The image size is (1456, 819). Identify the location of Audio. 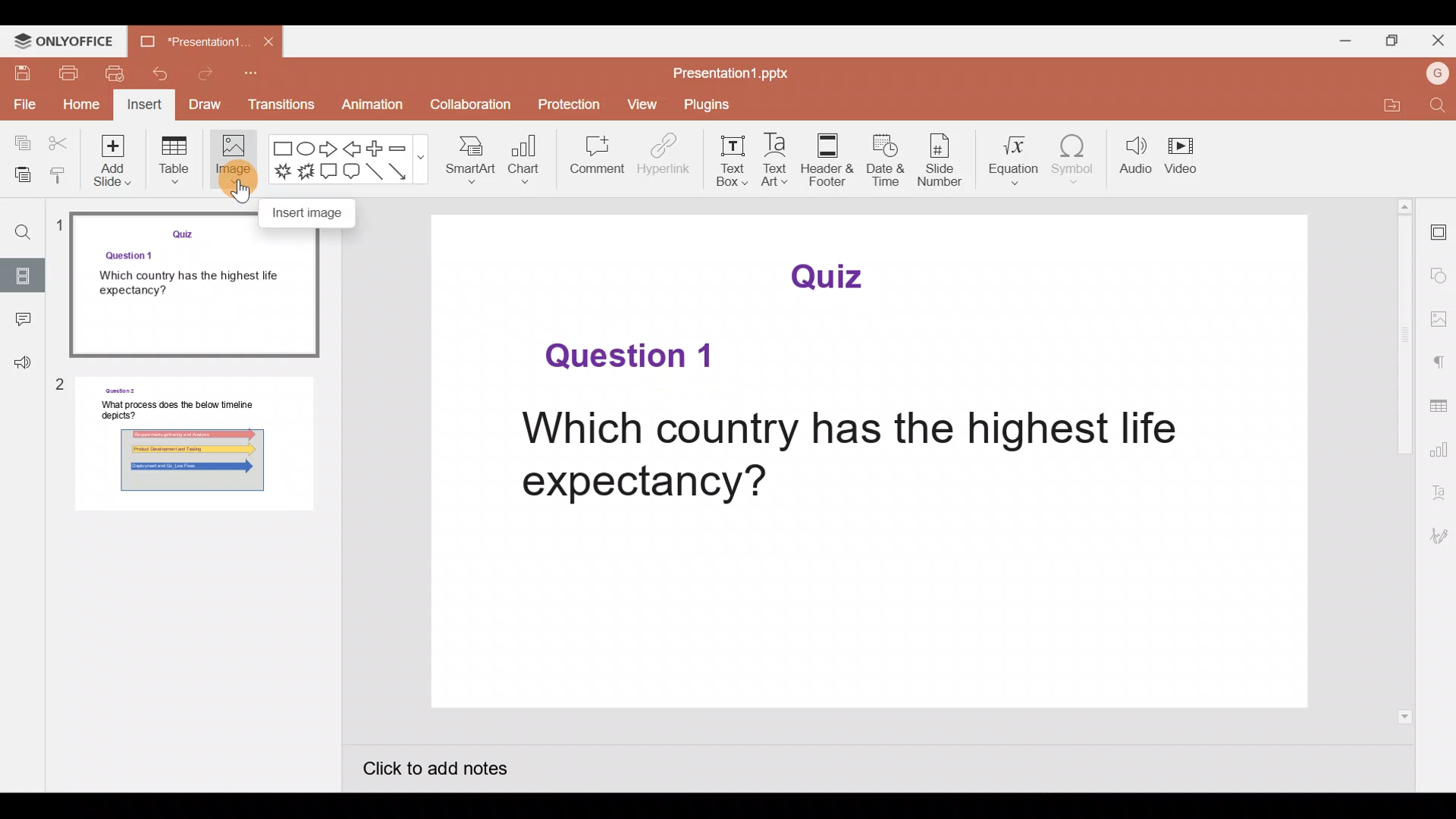
(1134, 155).